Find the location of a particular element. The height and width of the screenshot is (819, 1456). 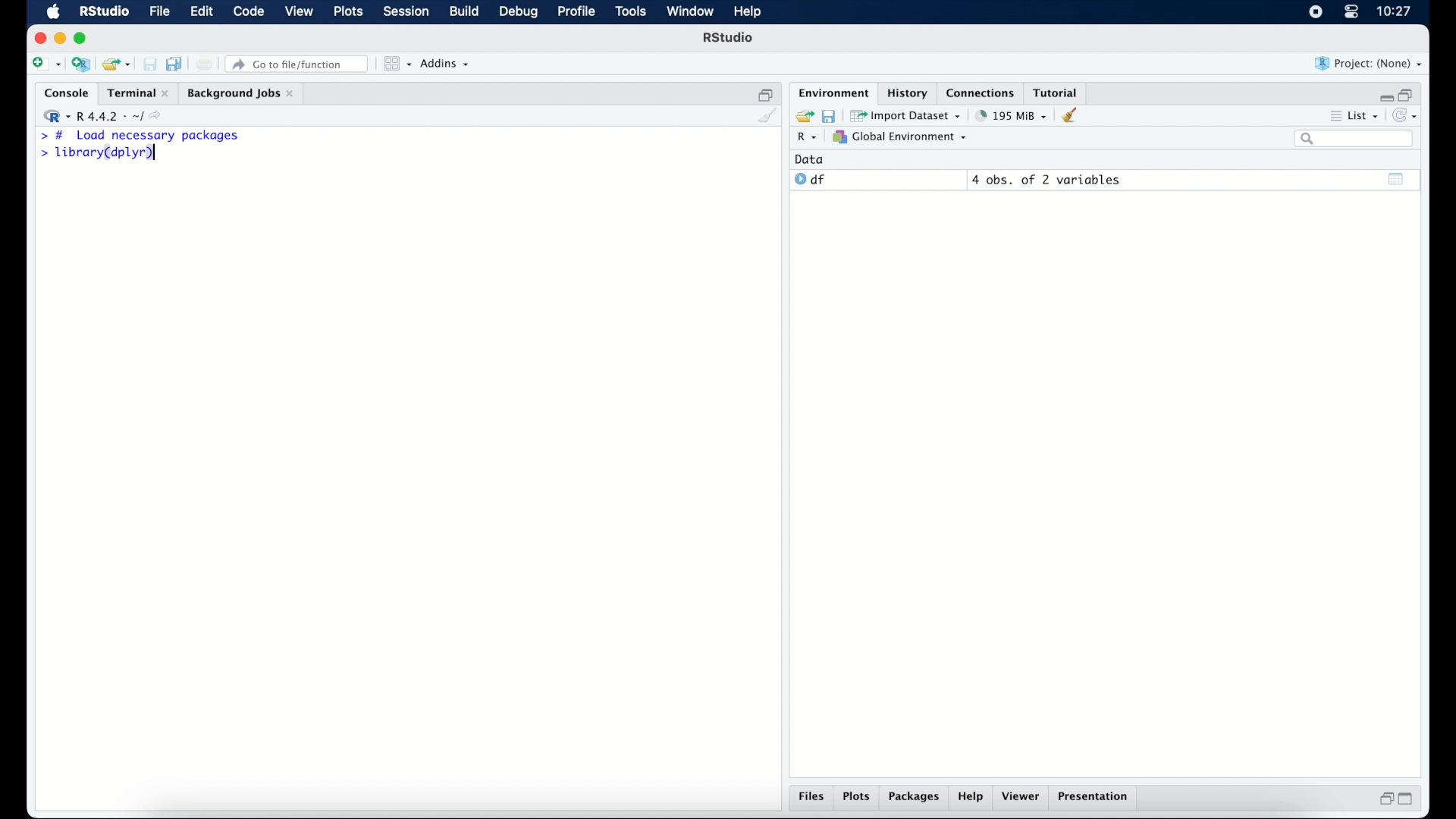

go to file/function is located at coordinates (297, 64).